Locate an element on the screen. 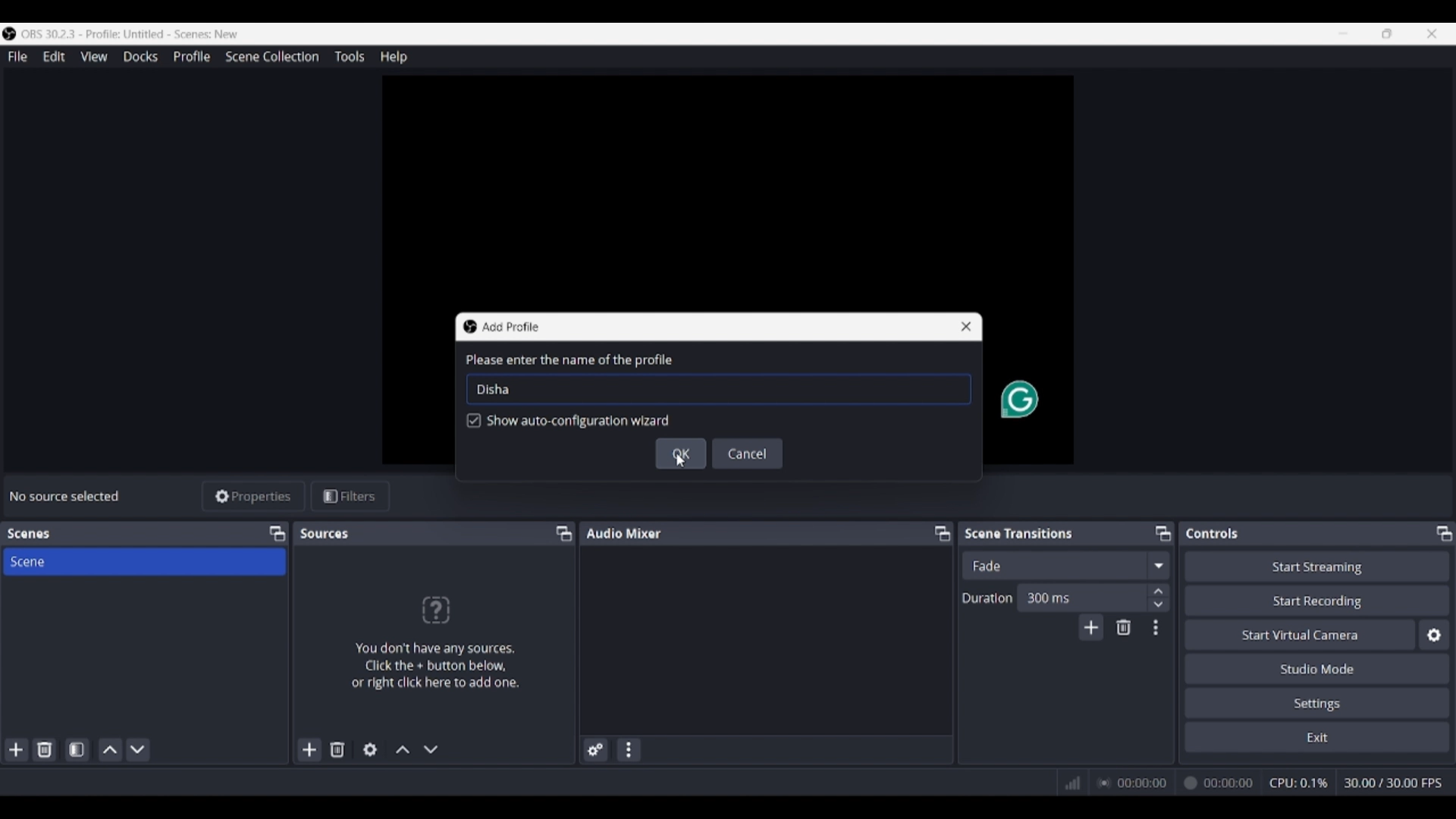 This screenshot has width=1456, height=819. Scene collection menu is located at coordinates (271, 56).